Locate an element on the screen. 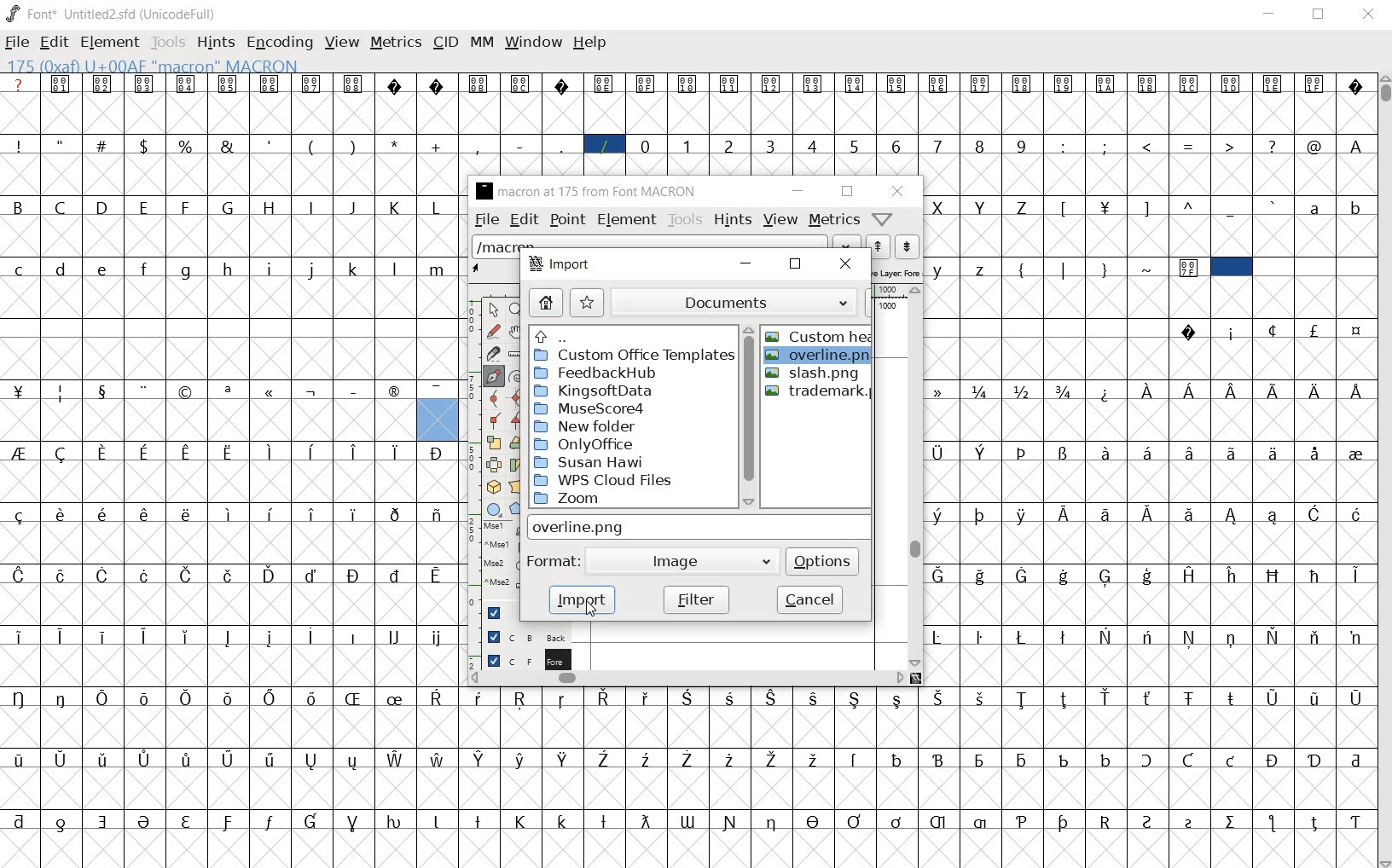  FeedbackHub is located at coordinates (618, 372).